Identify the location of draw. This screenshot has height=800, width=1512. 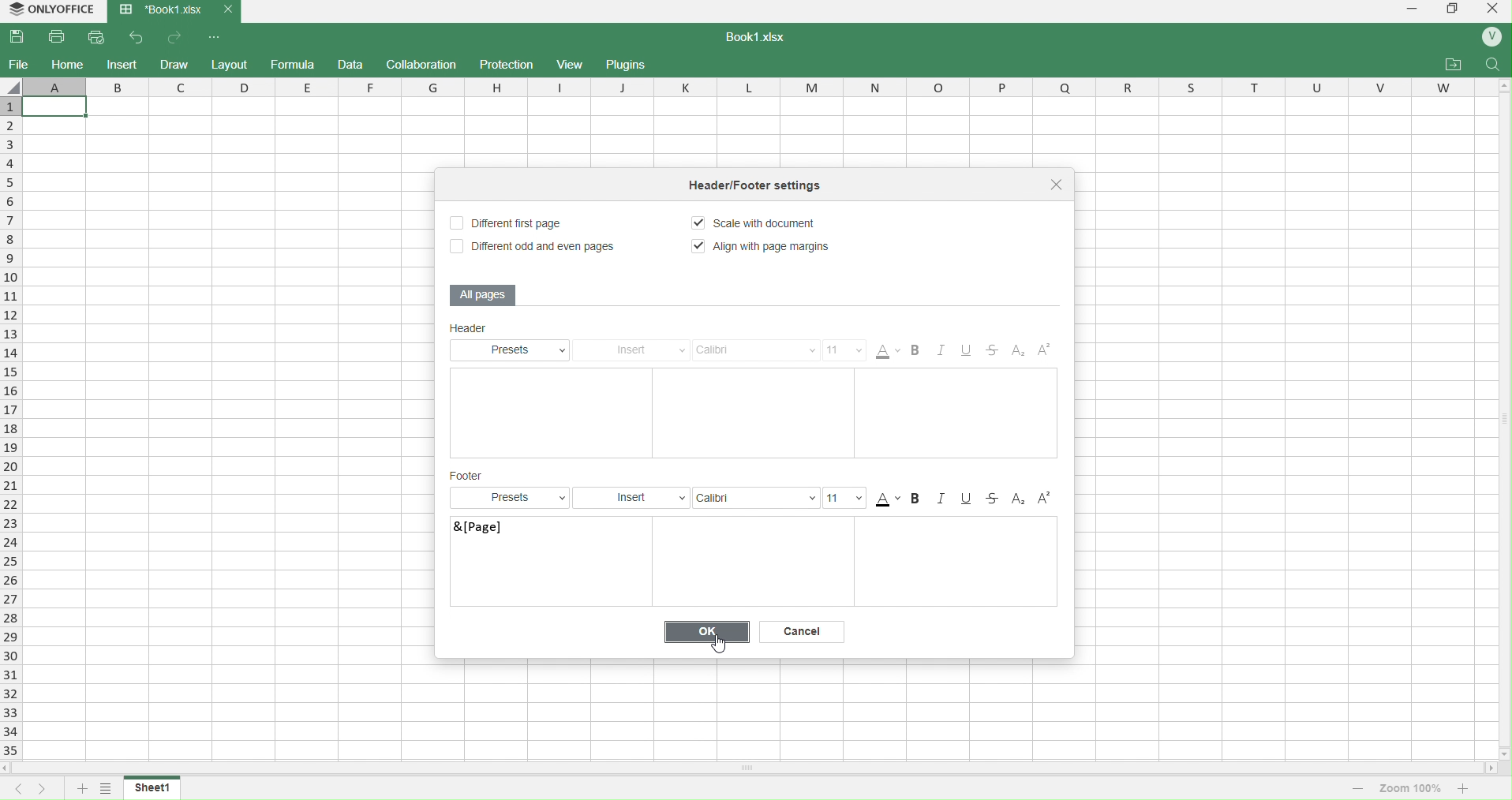
(176, 63).